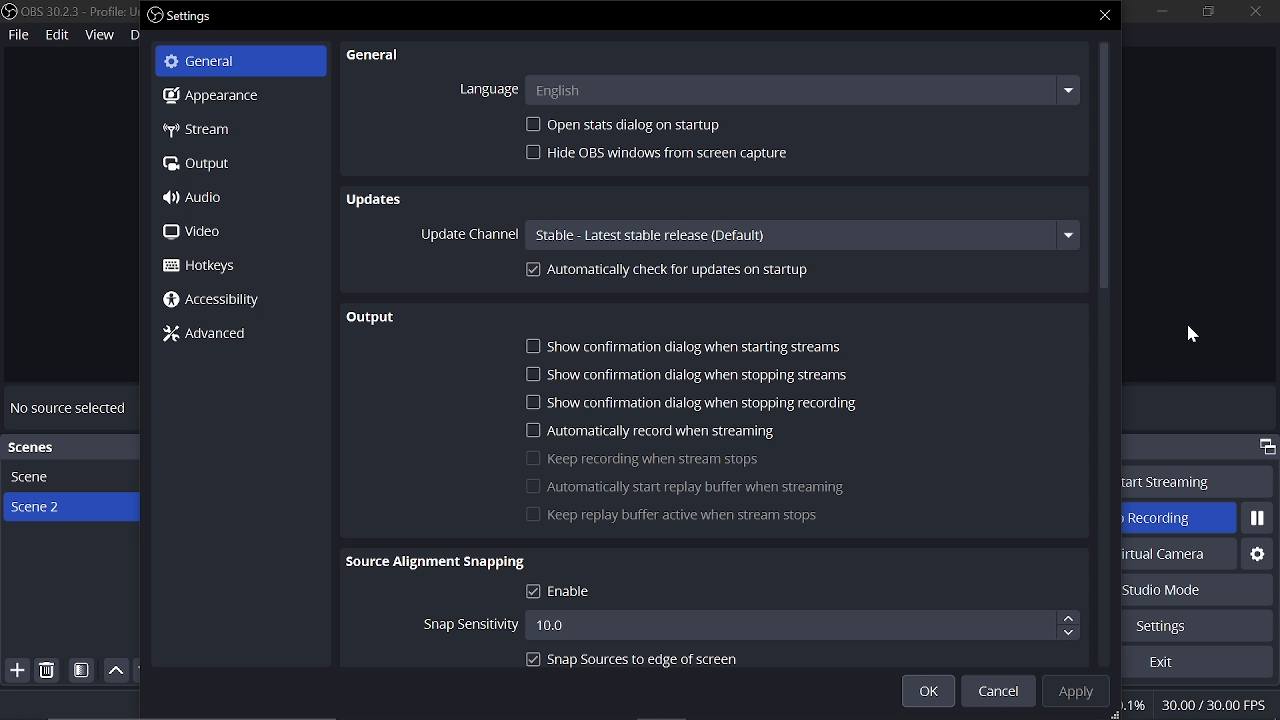  Describe the element at coordinates (70, 508) in the screenshot. I see `Scene 2` at that location.